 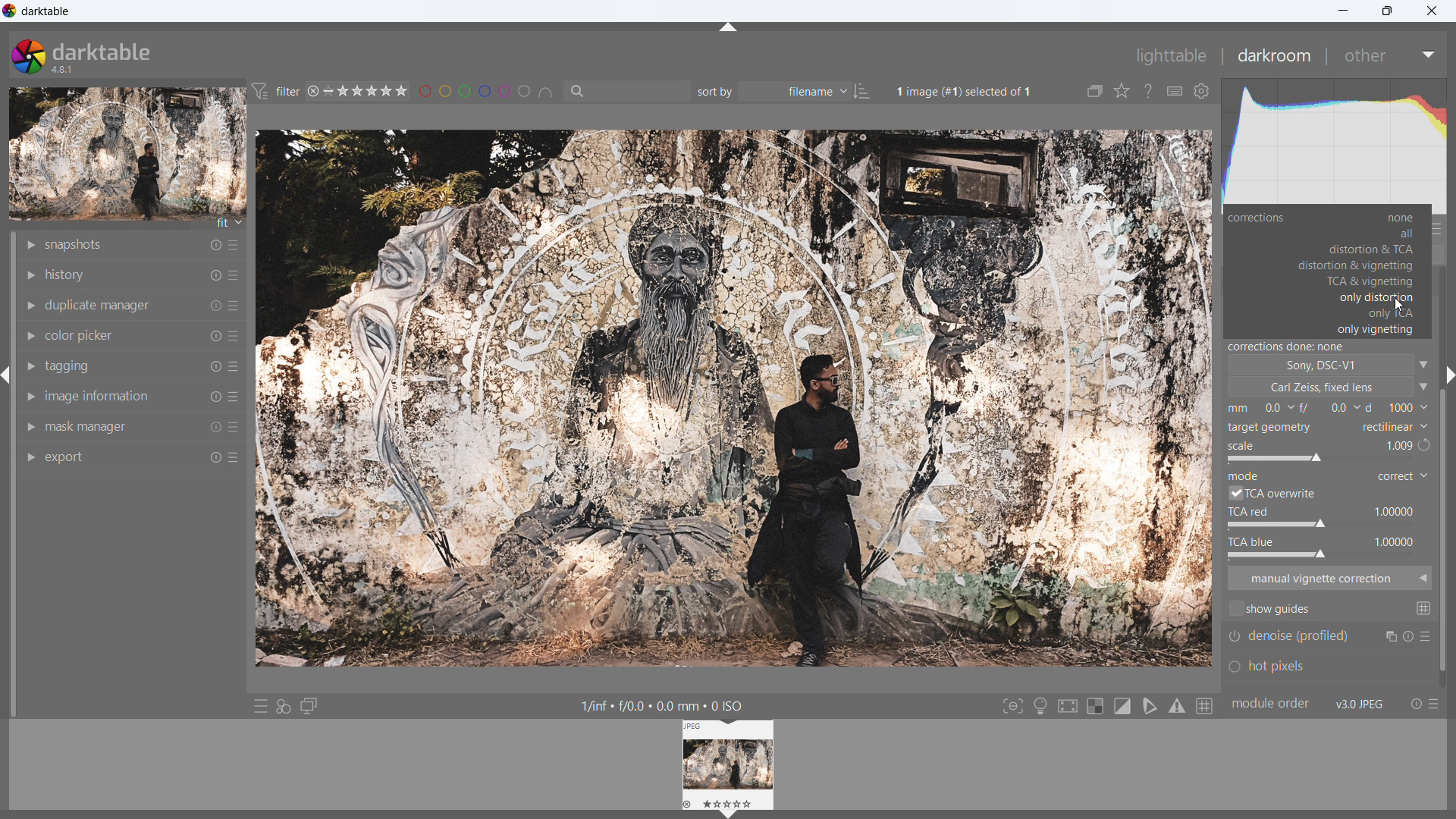 What do you see at coordinates (71, 367) in the screenshot?
I see `tagging` at bounding box center [71, 367].